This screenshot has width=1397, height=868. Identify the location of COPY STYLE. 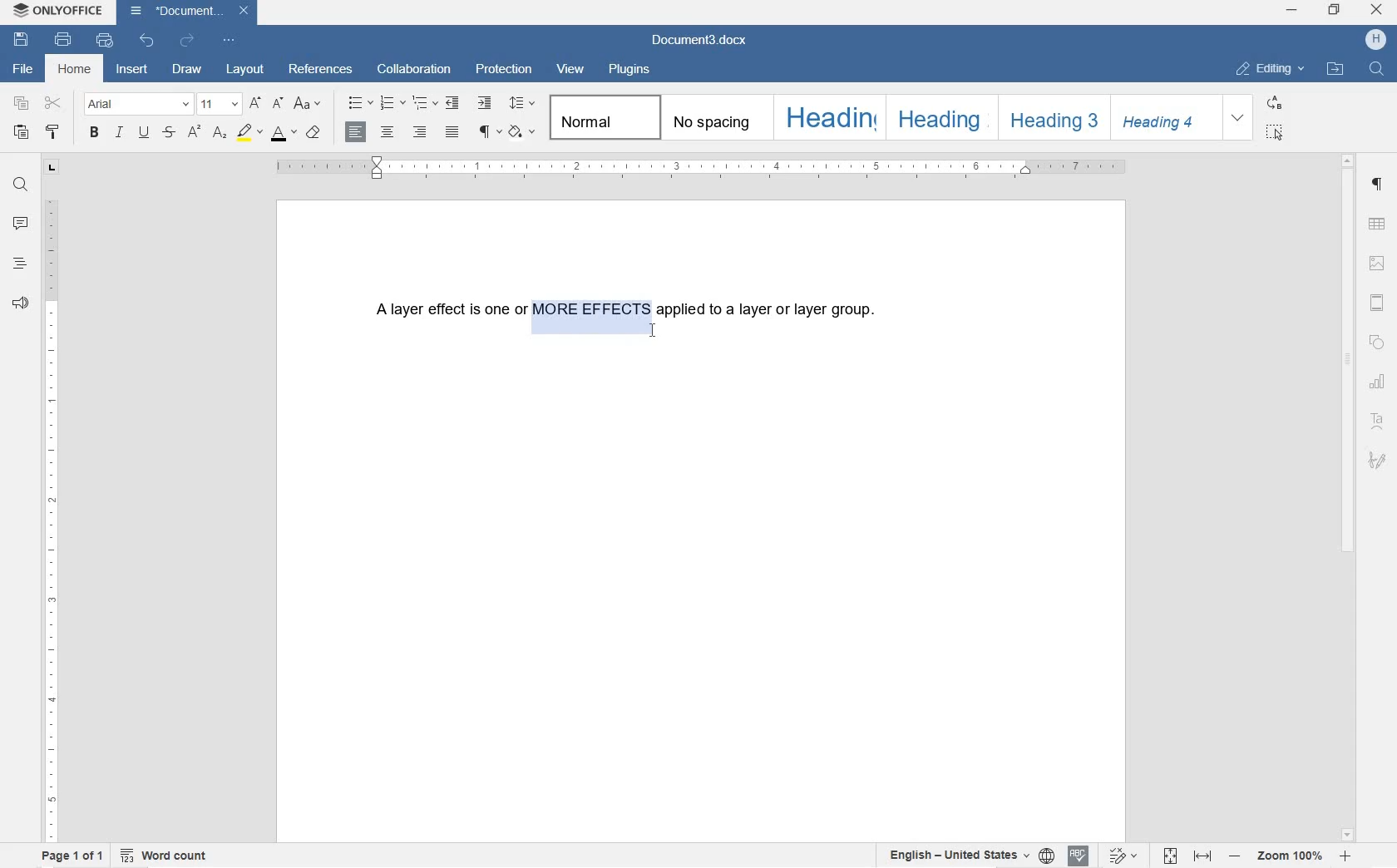
(54, 133).